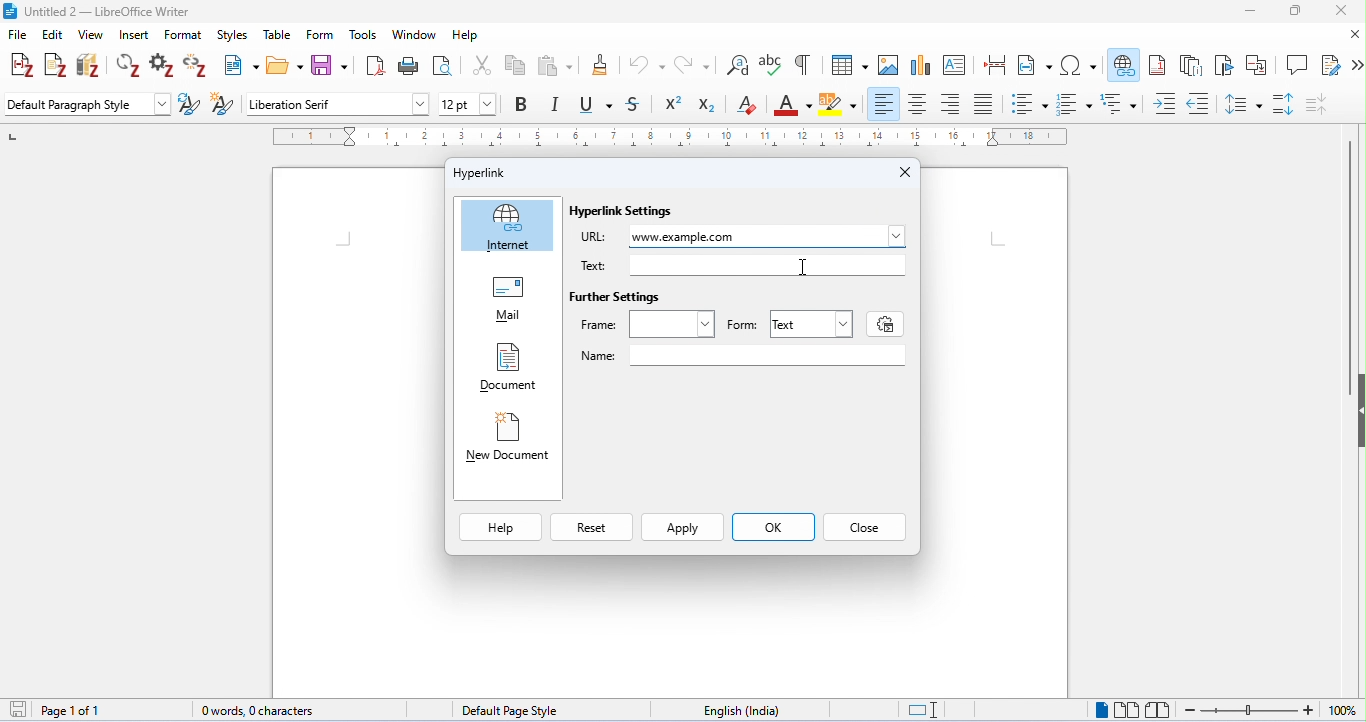  I want to click on insert hyperlink, so click(1122, 62).